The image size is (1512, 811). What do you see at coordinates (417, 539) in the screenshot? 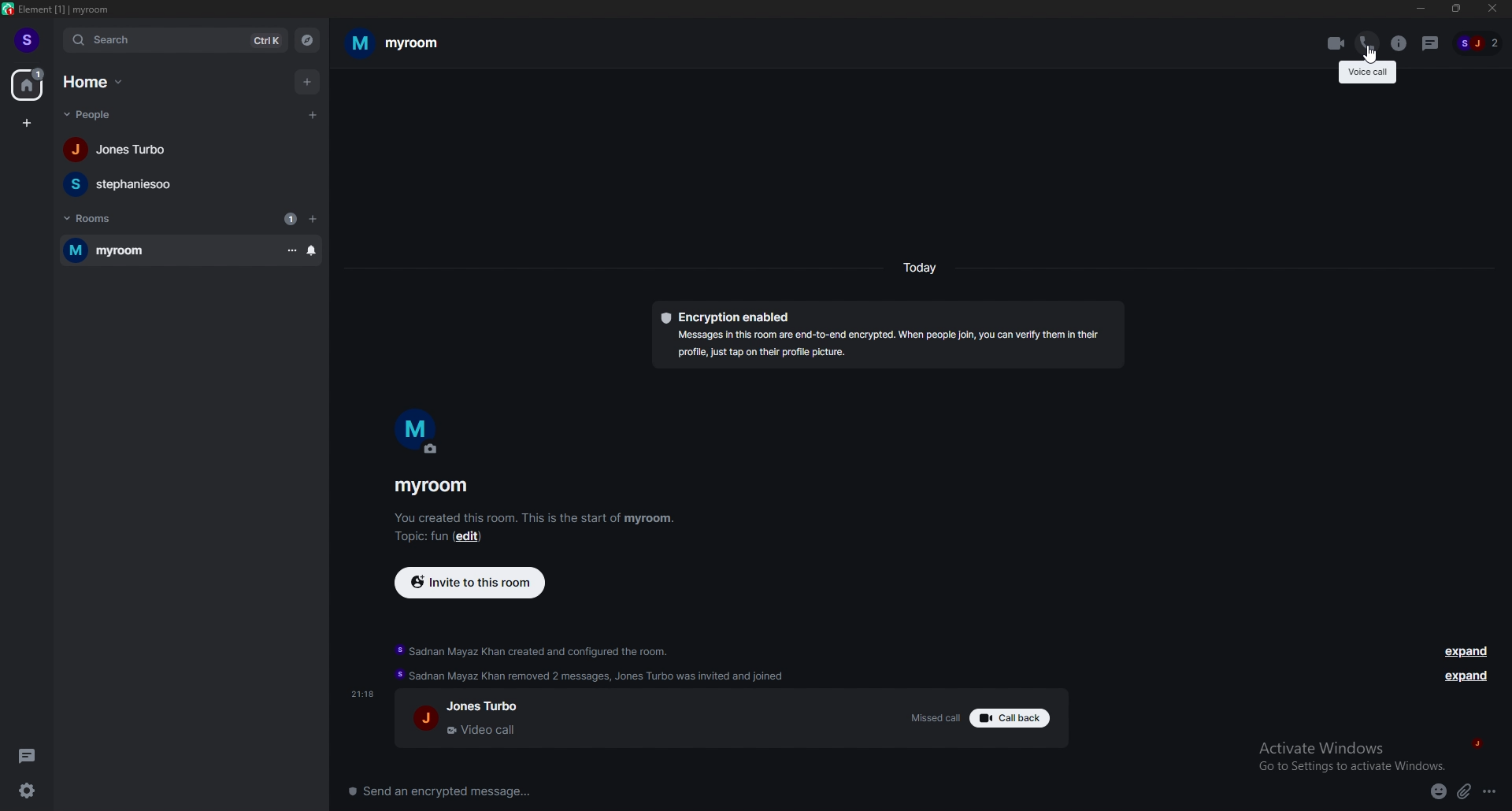
I see `topic: fun` at bounding box center [417, 539].